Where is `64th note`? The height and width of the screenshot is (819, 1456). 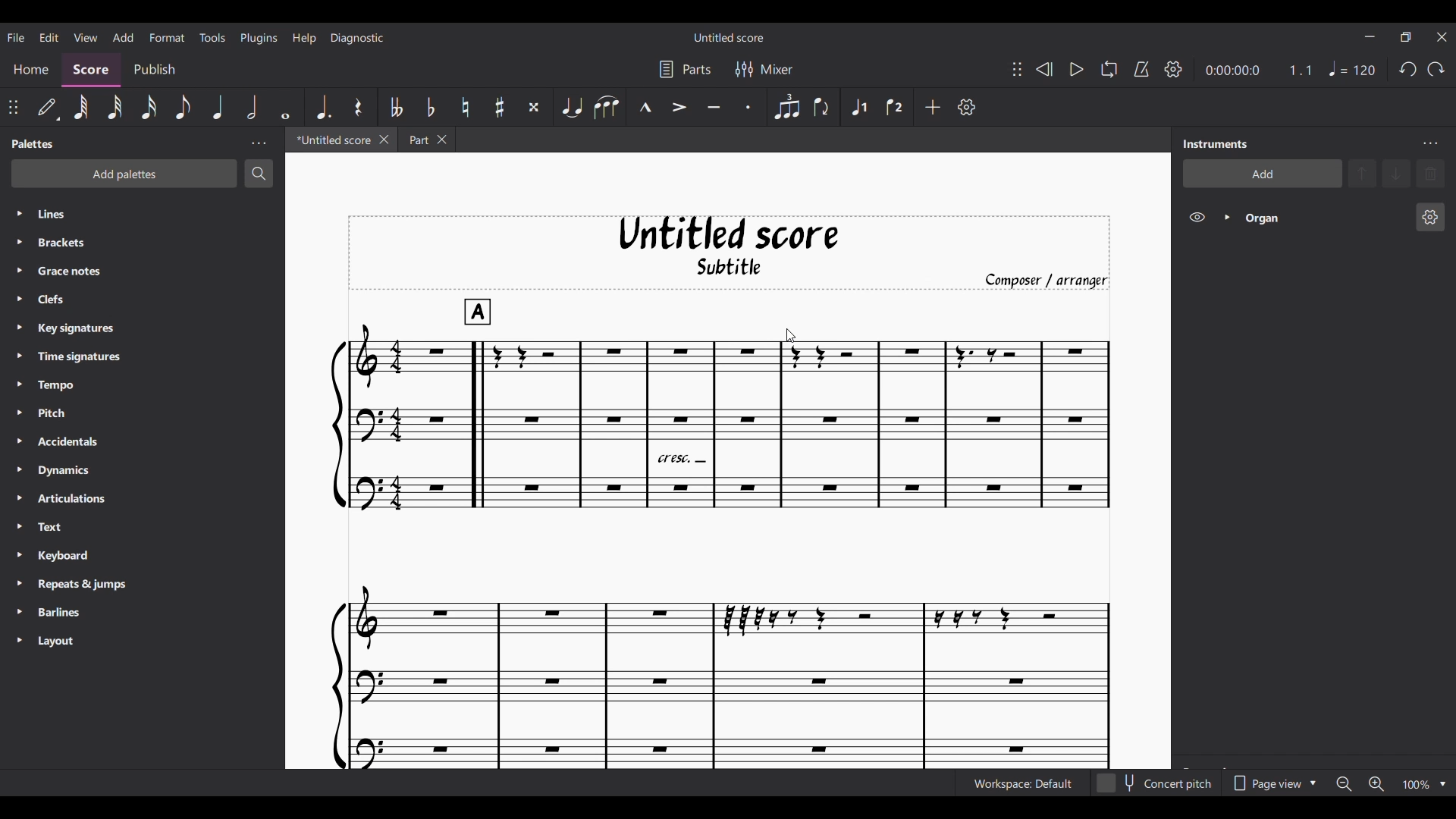
64th note is located at coordinates (80, 108).